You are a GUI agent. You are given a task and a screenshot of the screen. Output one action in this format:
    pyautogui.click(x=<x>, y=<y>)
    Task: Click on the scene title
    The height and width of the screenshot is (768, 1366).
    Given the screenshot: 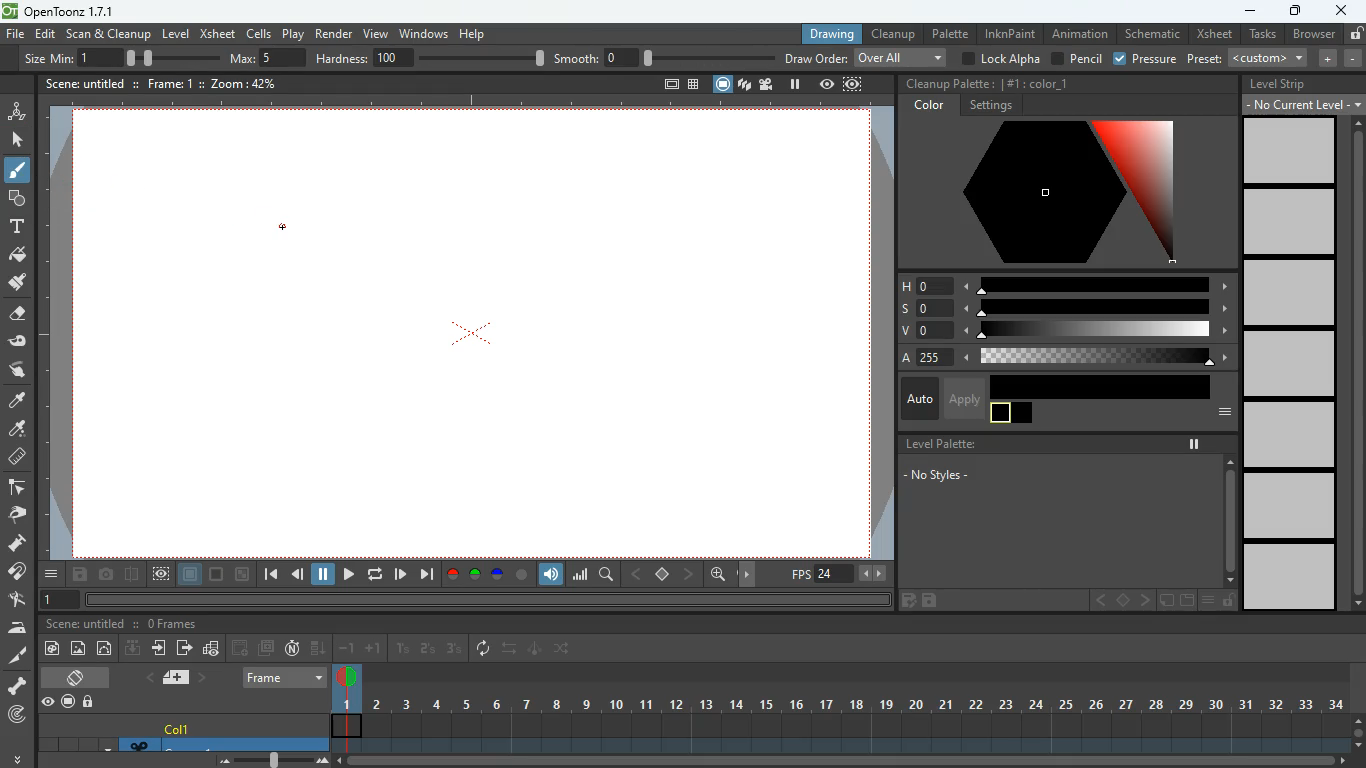 What is the action you would take?
    pyautogui.click(x=90, y=624)
    